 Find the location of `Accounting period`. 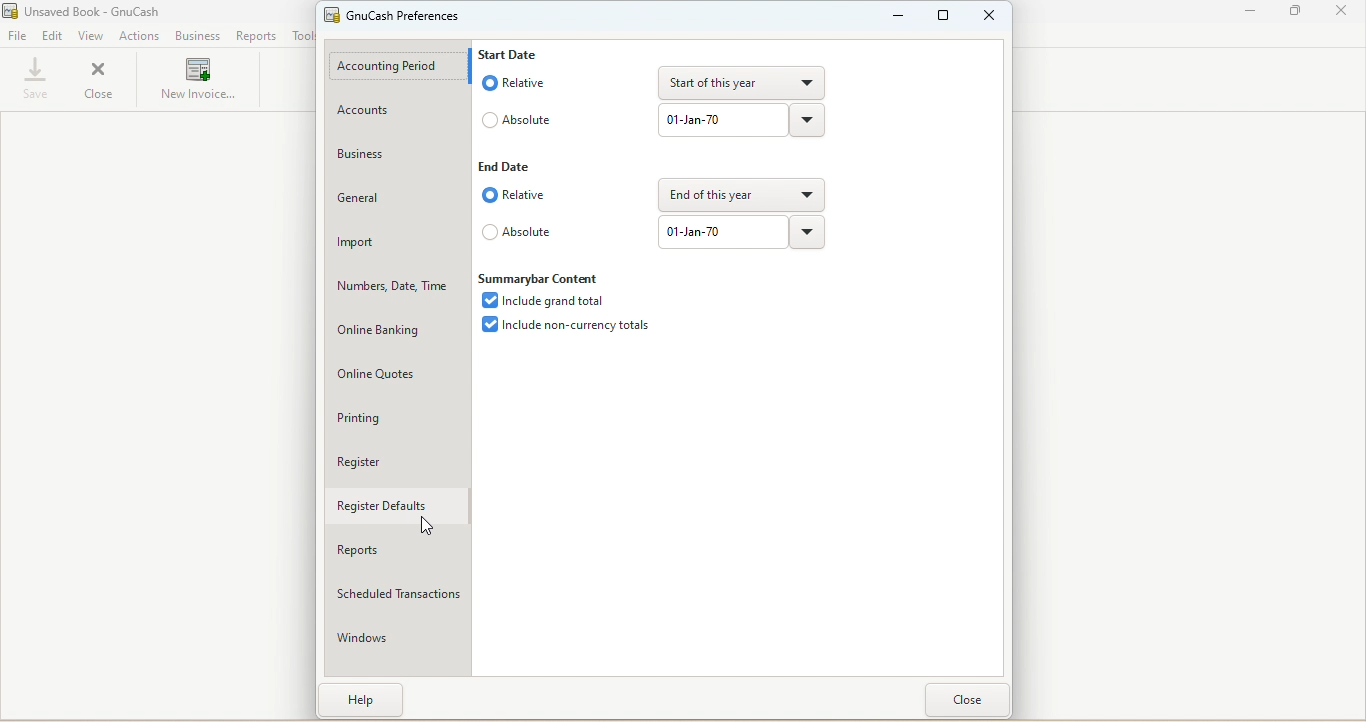

Accounting period is located at coordinates (401, 65).